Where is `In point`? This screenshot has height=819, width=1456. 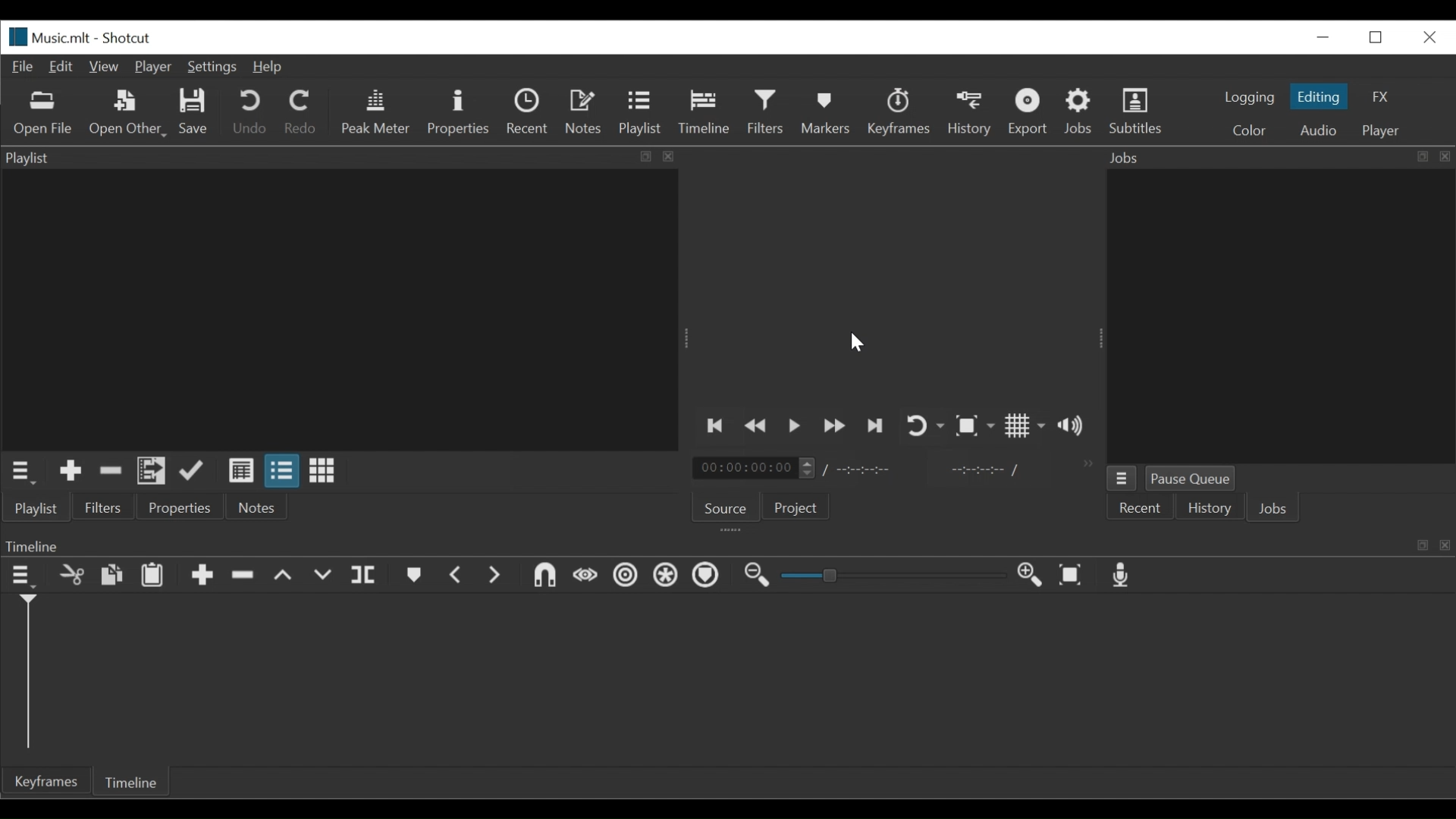
In point is located at coordinates (987, 469).